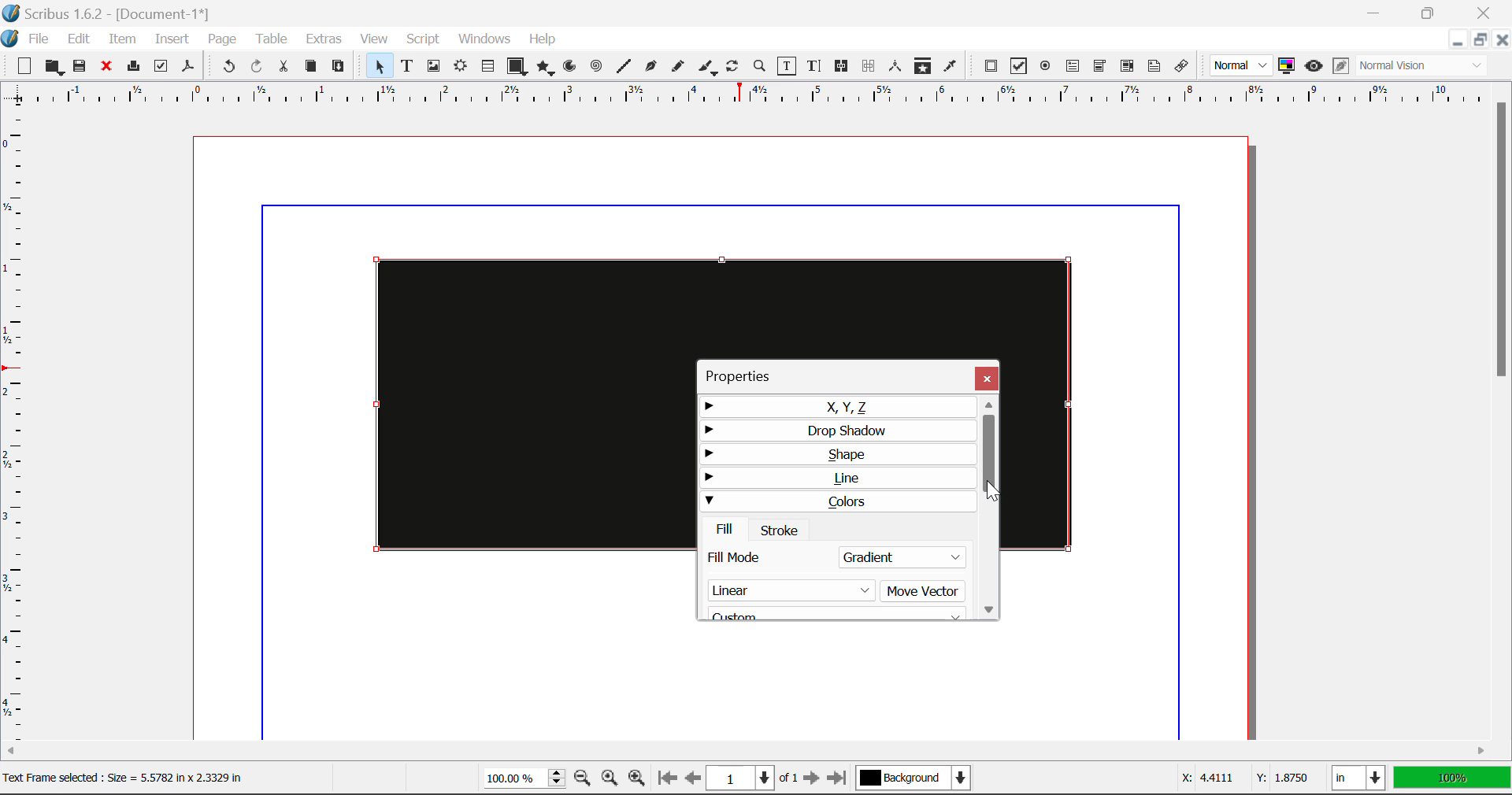 Image resolution: width=1512 pixels, height=795 pixels. I want to click on cribus 1.6.2 - [Document-1*], so click(106, 13).